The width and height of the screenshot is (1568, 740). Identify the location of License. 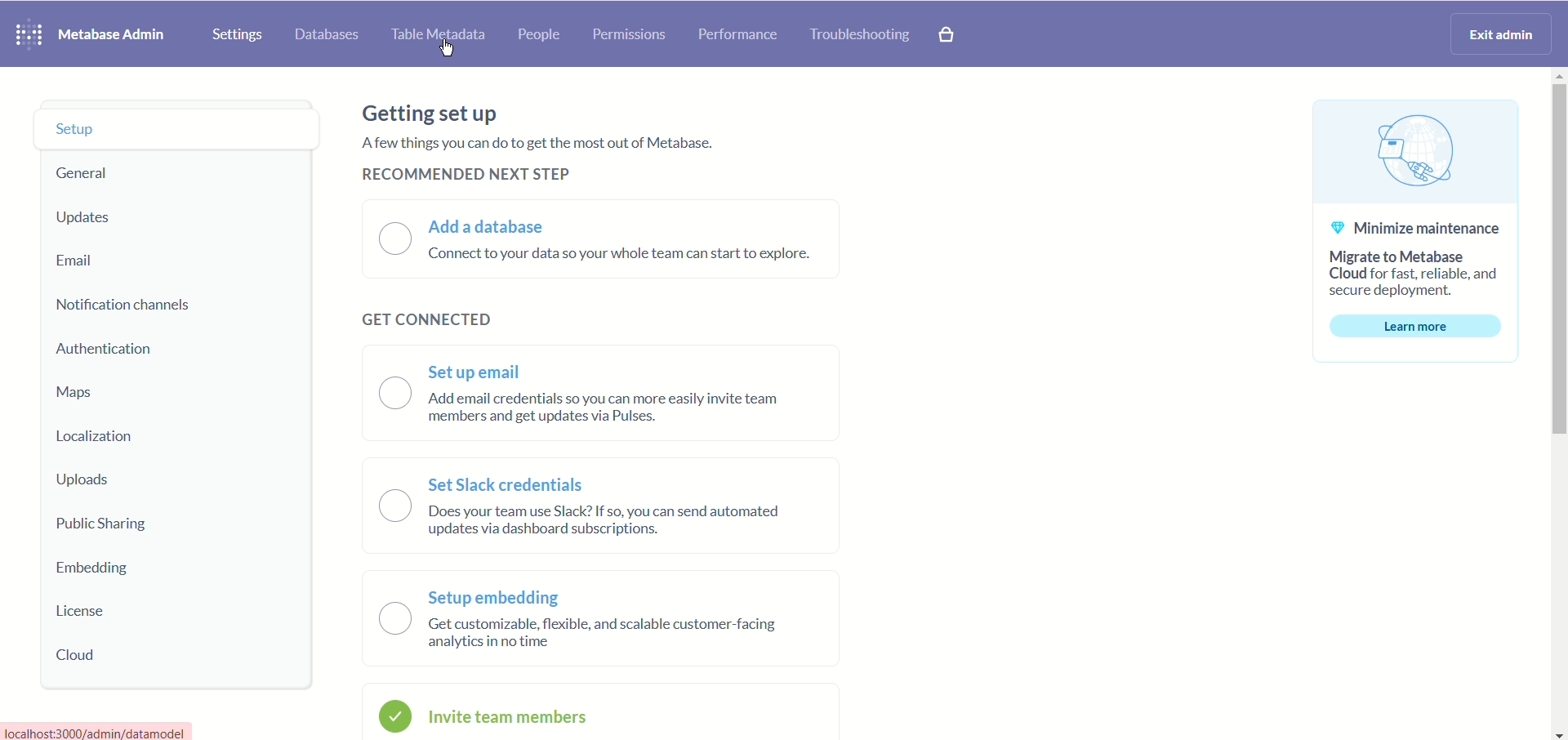
(114, 610).